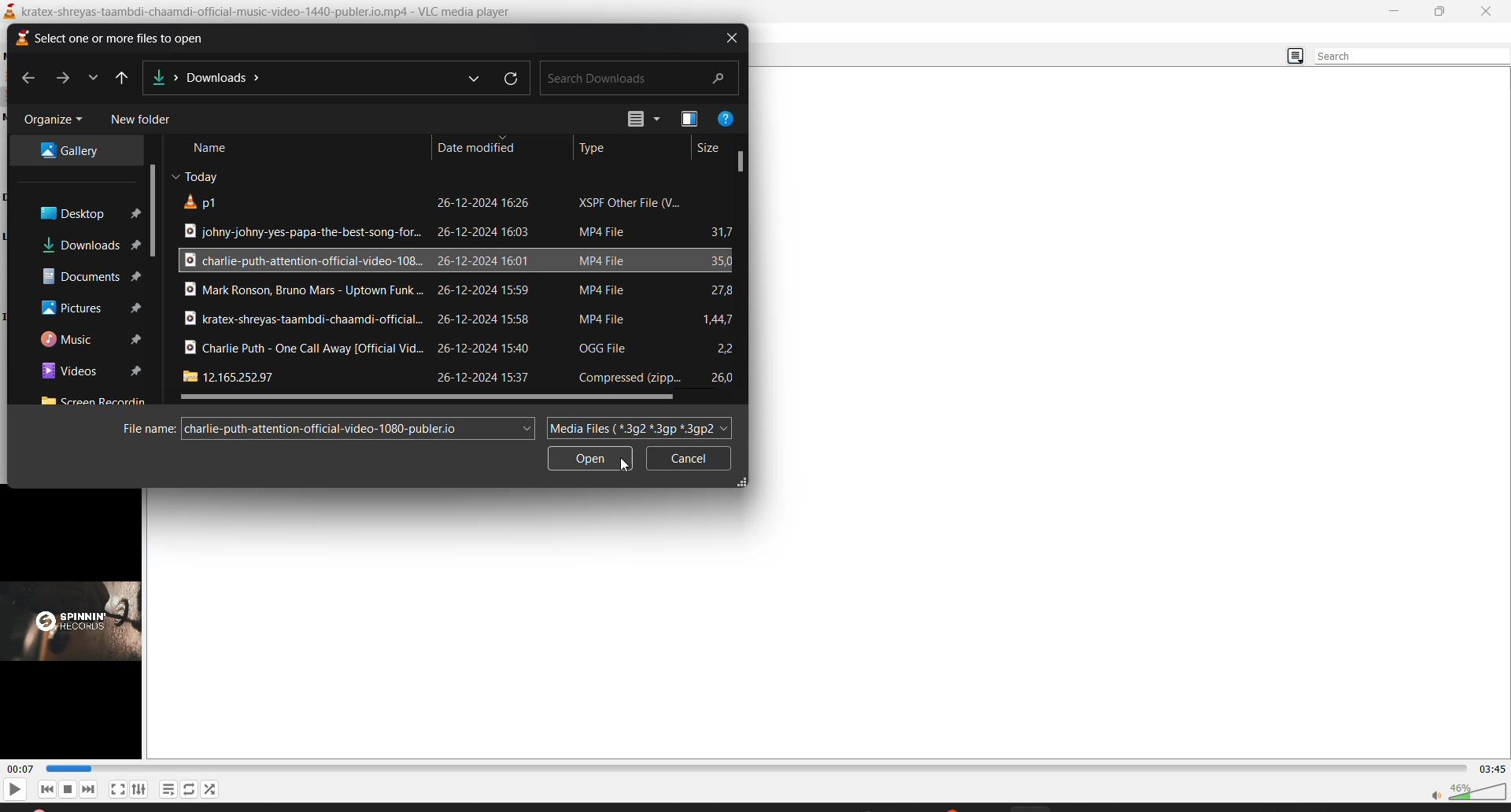 Image resolution: width=1511 pixels, height=812 pixels. What do you see at coordinates (206, 789) in the screenshot?
I see `random` at bounding box center [206, 789].